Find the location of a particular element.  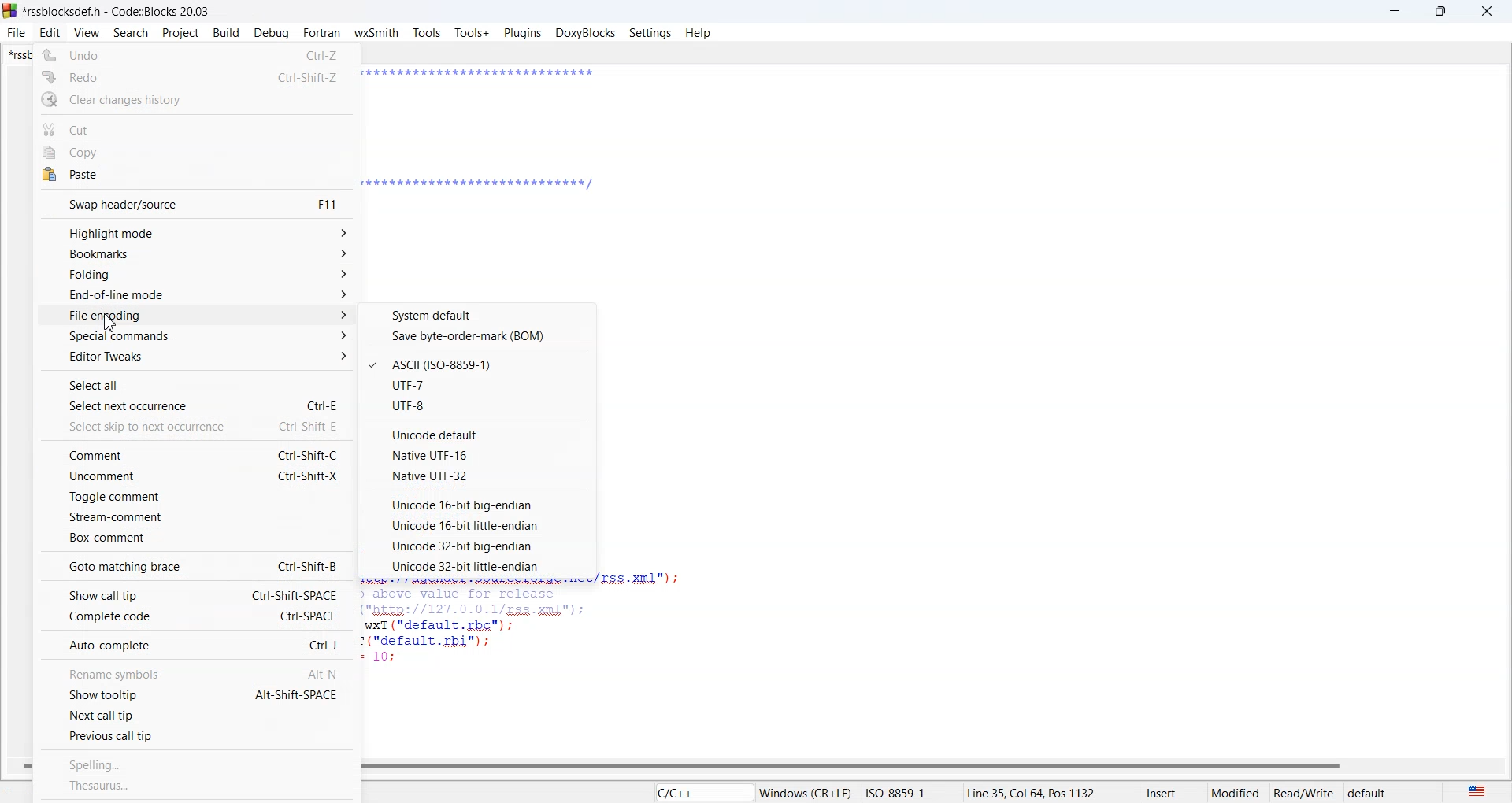

Code language indicator is located at coordinates (702, 791).